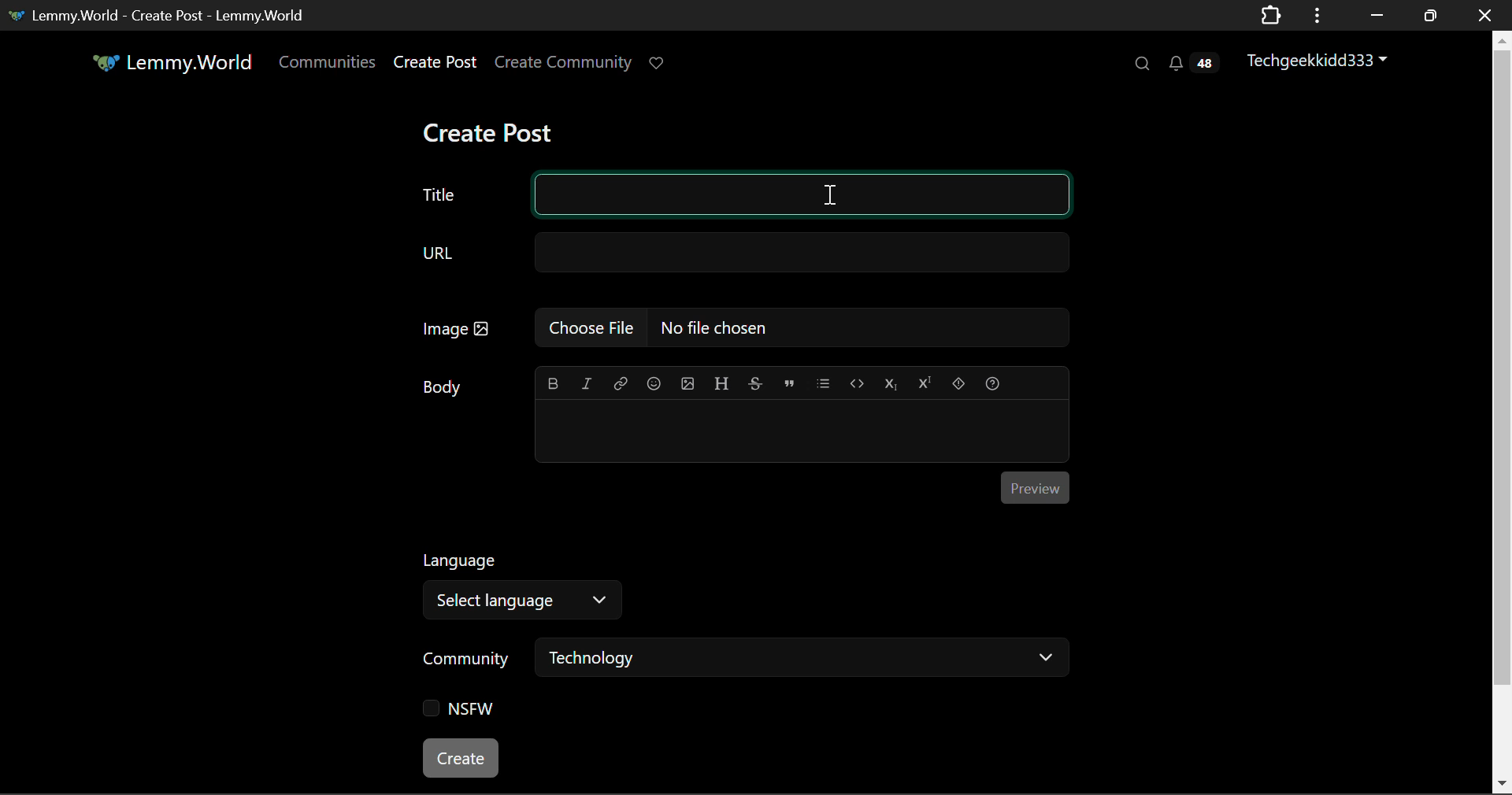 This screenshot has width=1512, height=795. I want to click on Restore Down, so click(1374, 15).